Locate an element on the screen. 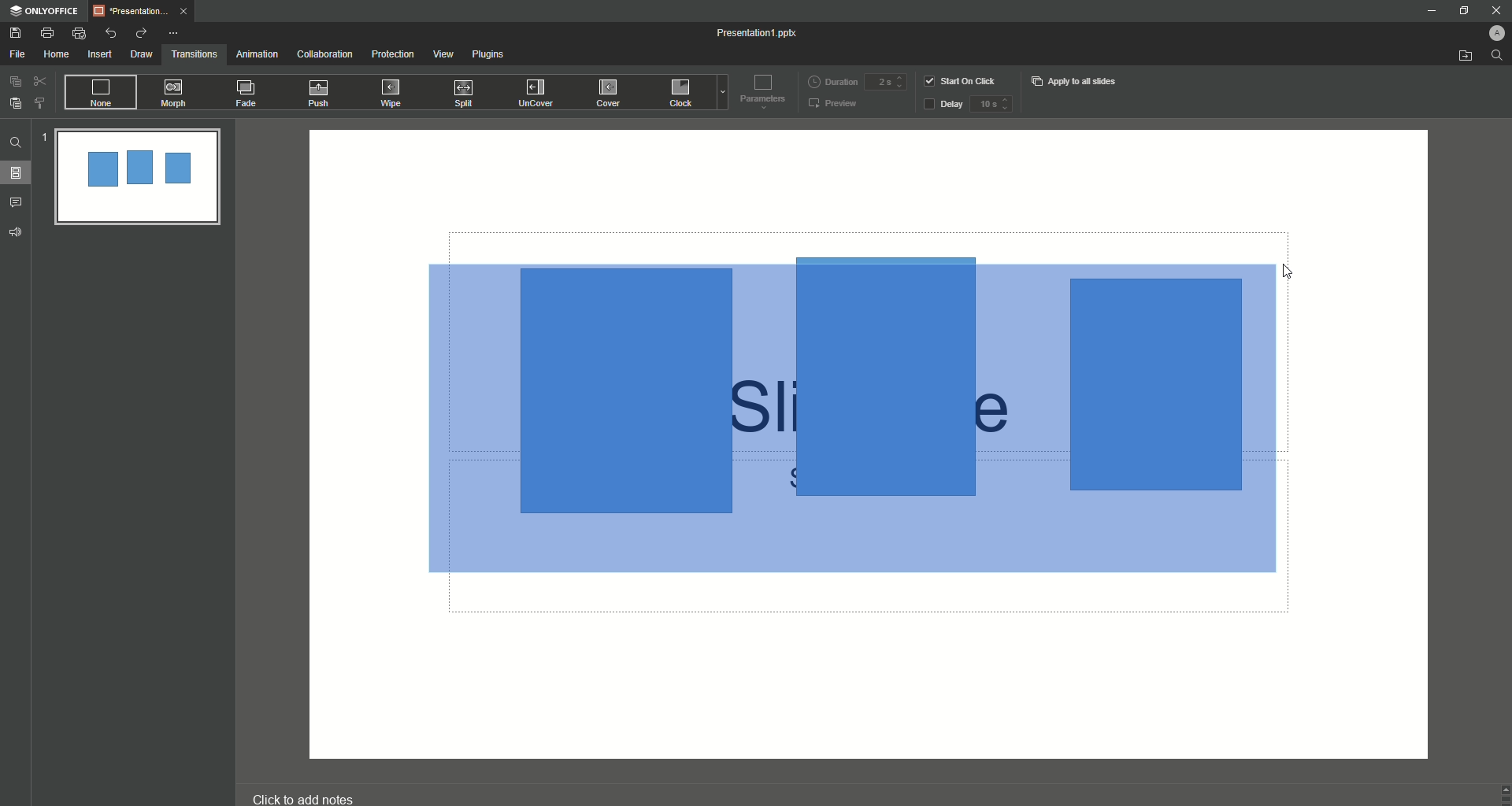  Delay button is located at coordinates (943, 105).